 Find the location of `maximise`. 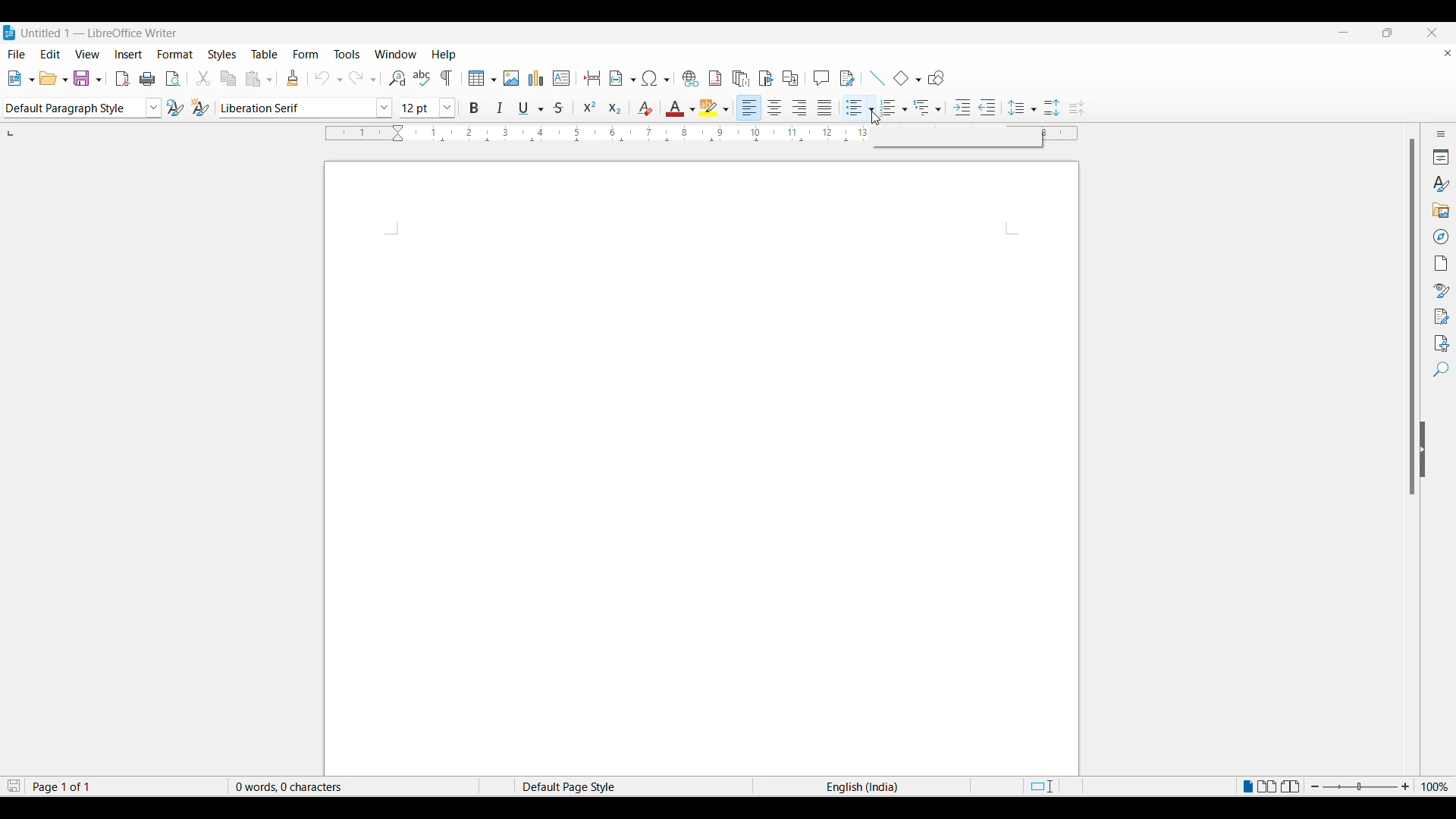

maximise is located at coordinates (1384, 33).